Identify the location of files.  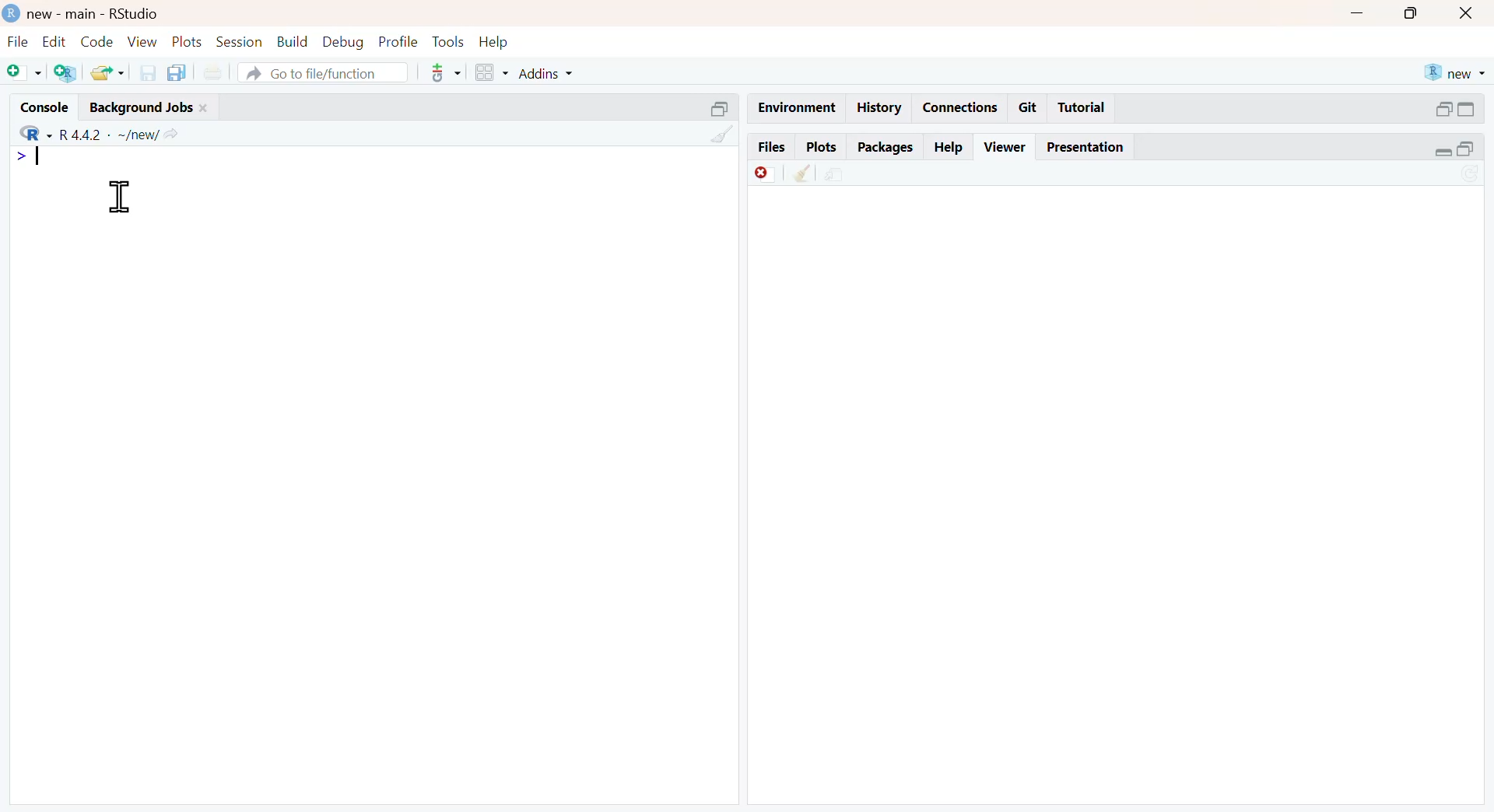
(773, 145).